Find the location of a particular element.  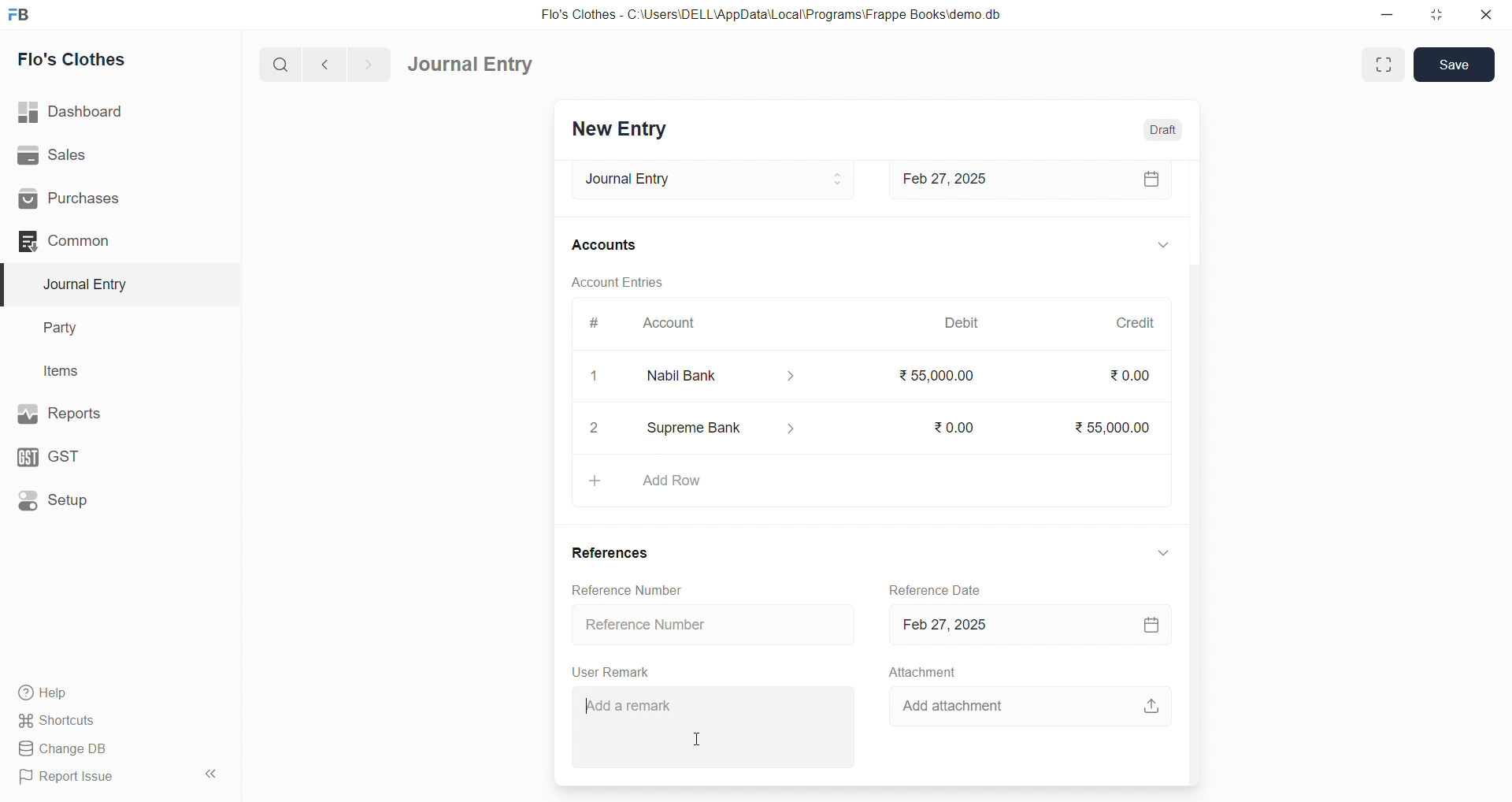

logo is located at coordinates (24, 13).